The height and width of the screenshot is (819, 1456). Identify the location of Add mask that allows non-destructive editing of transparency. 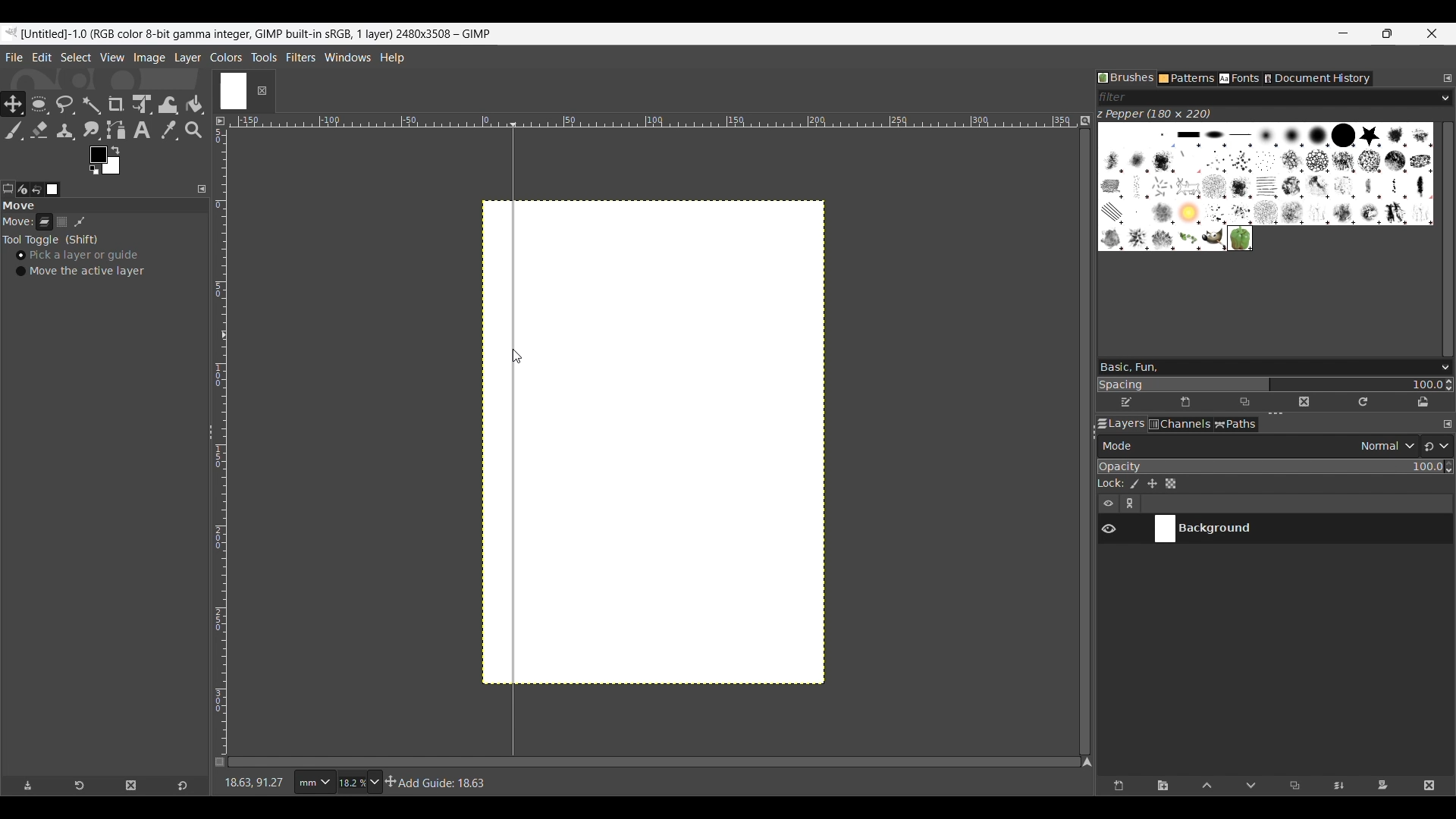
(1382, 786).